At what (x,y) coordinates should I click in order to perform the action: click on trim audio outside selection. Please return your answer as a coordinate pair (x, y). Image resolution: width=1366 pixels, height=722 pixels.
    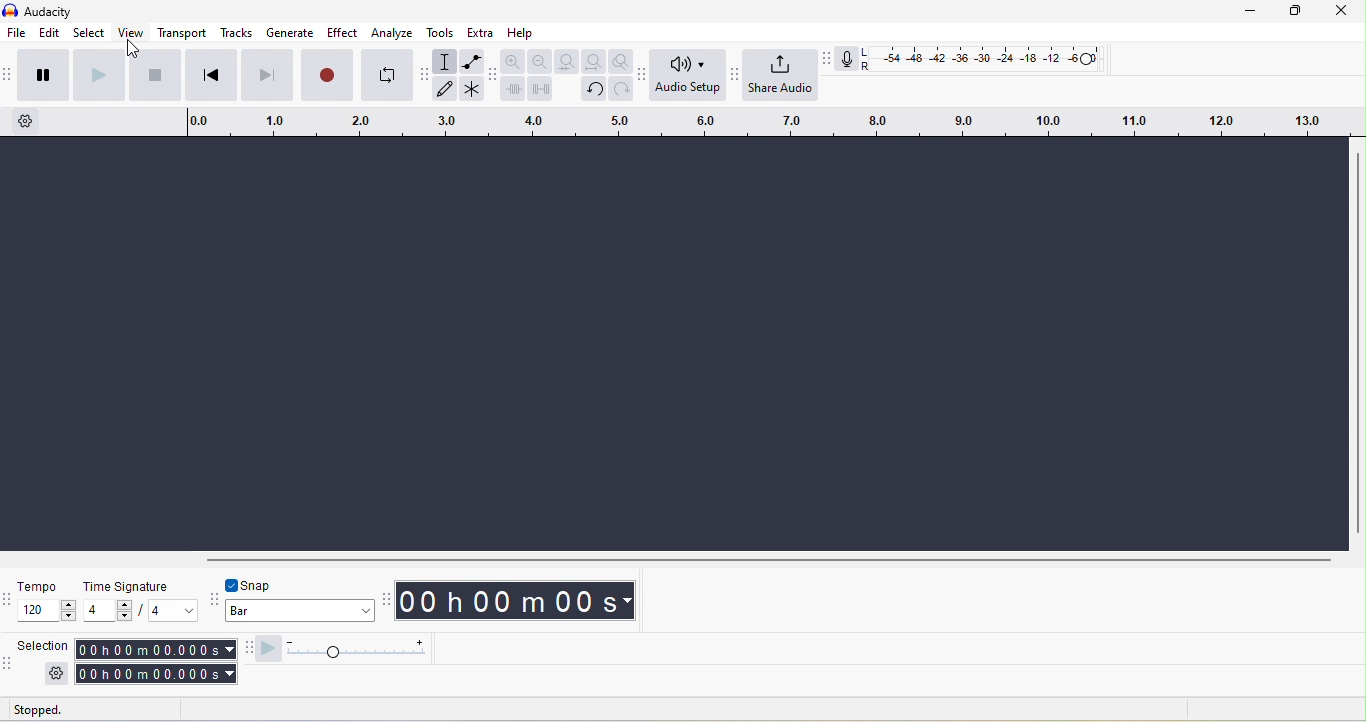
    Looking at the image, I should click on (512, 88).